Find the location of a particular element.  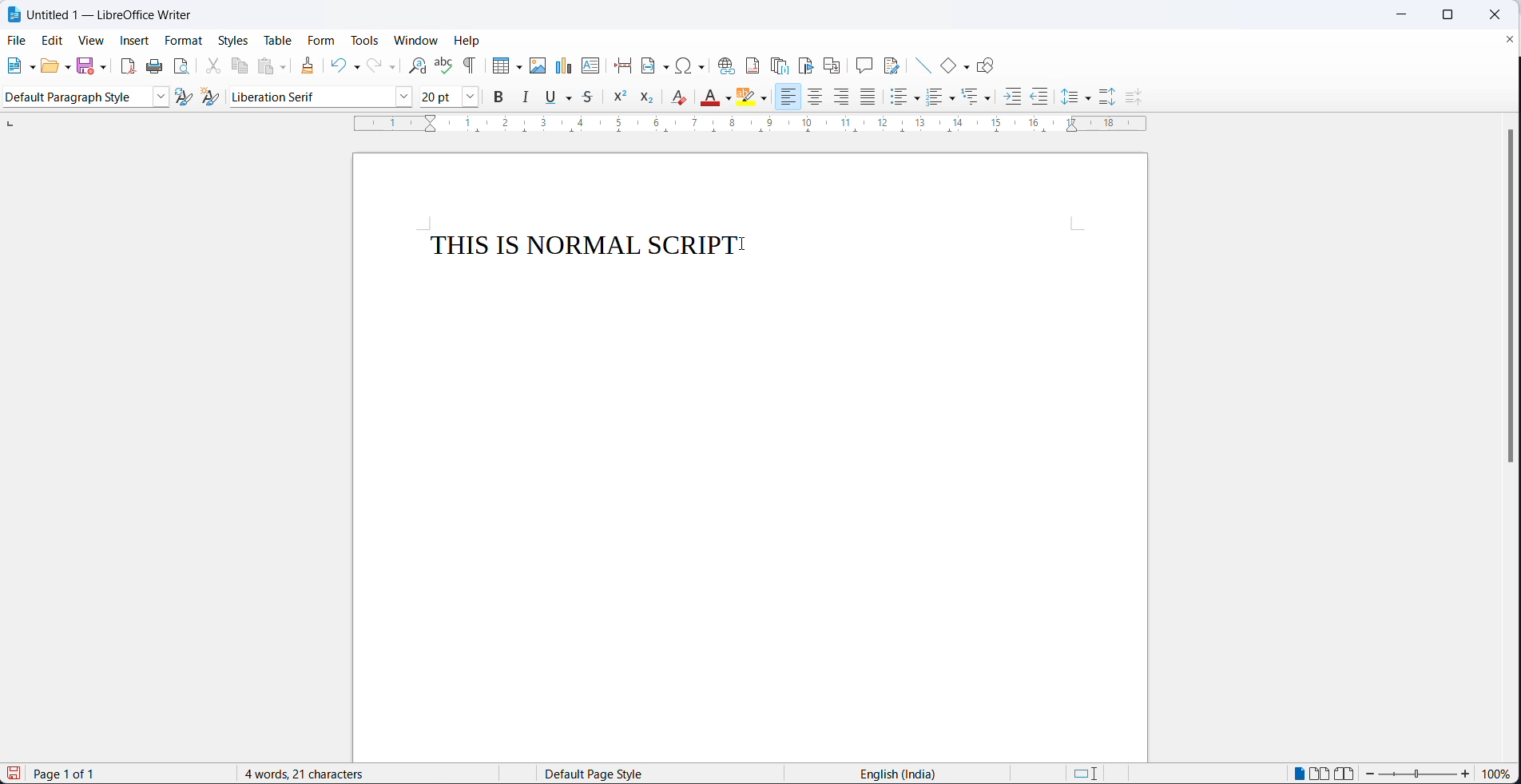

styles is located at coordinates (232, 40).